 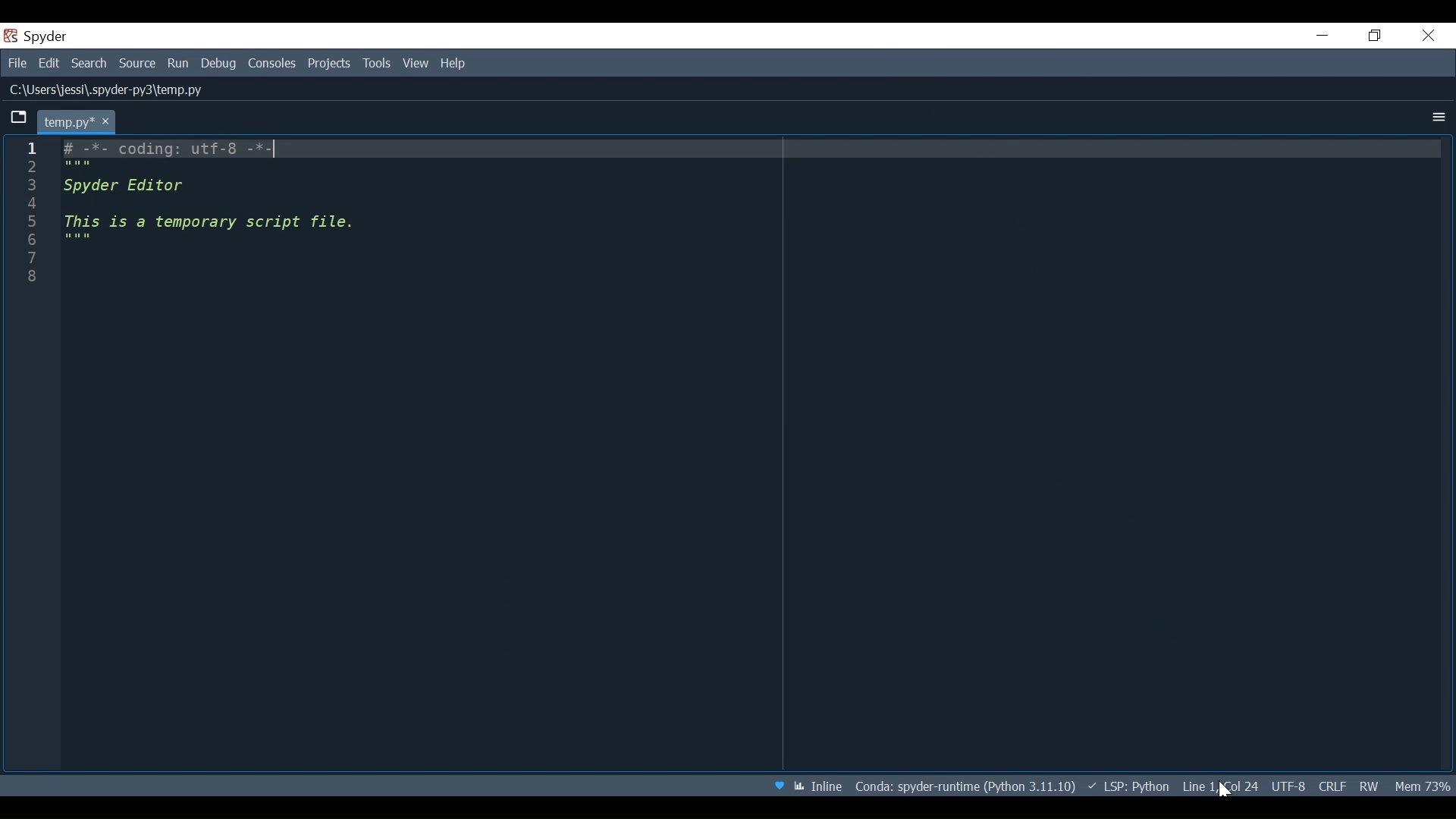 I want to click on Minimize, so click(x=1321, y=35).